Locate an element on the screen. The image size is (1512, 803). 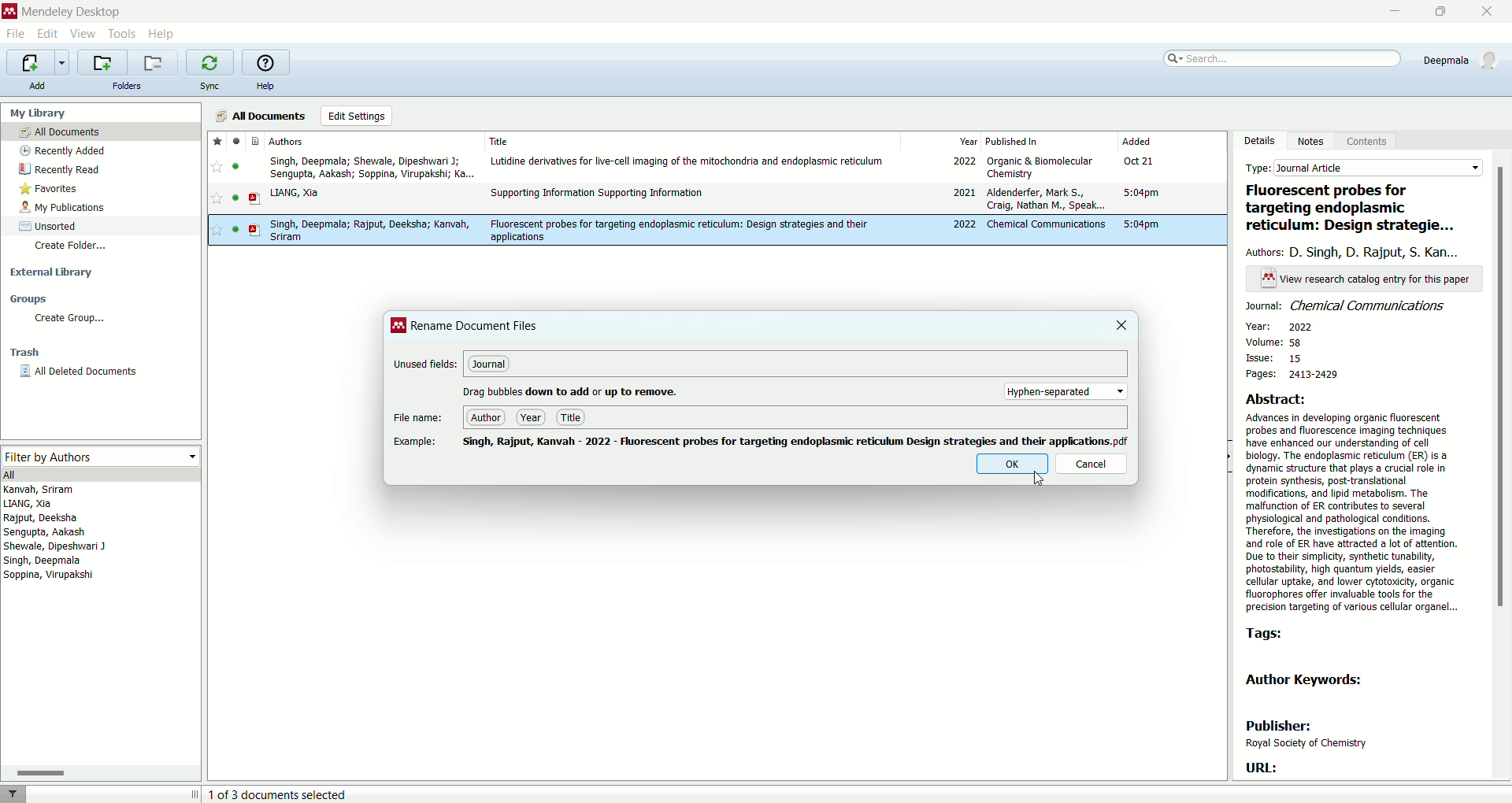
account is located at coordinates (1458, 59).